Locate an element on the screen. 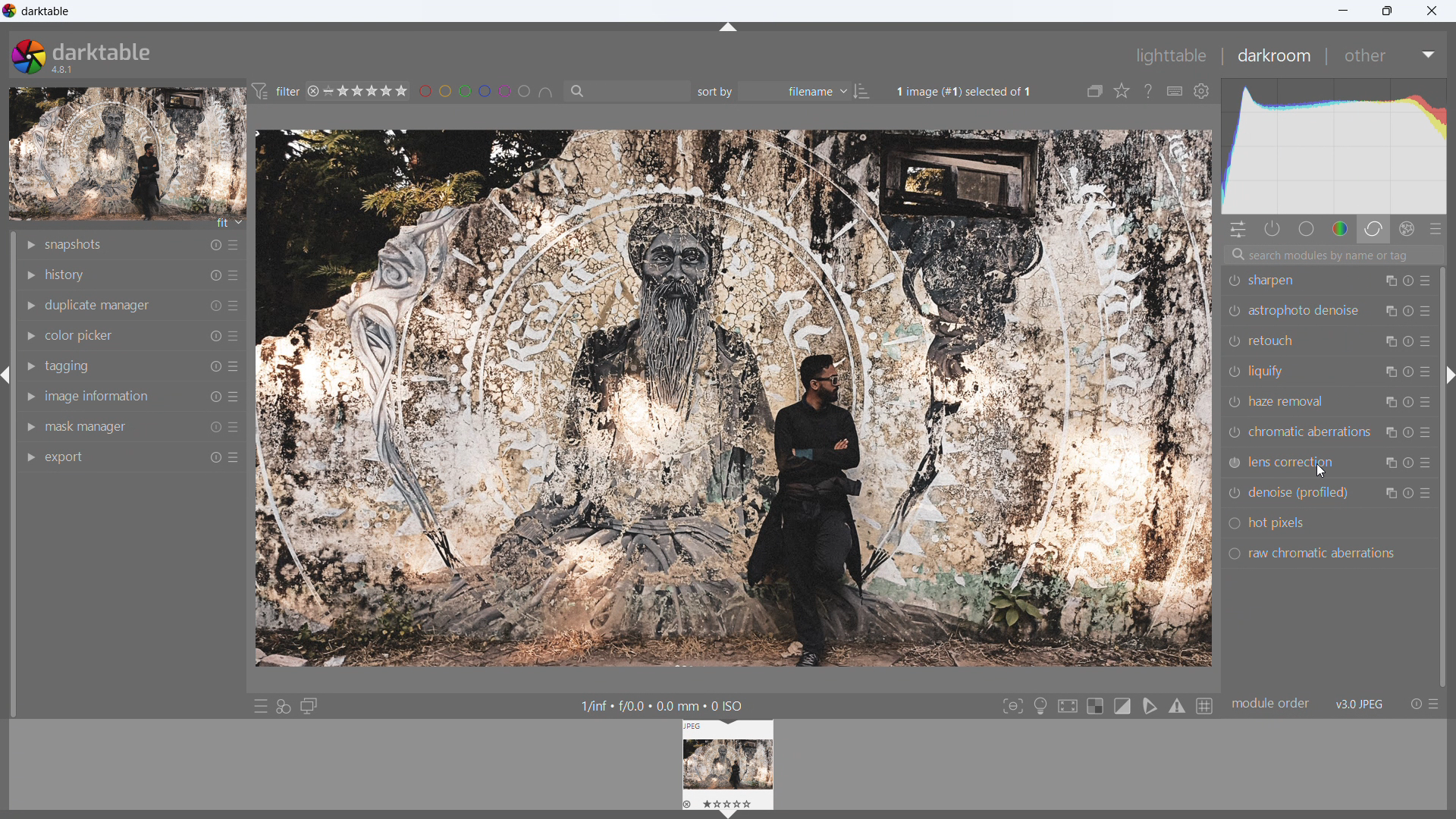 This screenshot has width=1456, height=819. toggle softproofing is located at coordinates (1149, 707).